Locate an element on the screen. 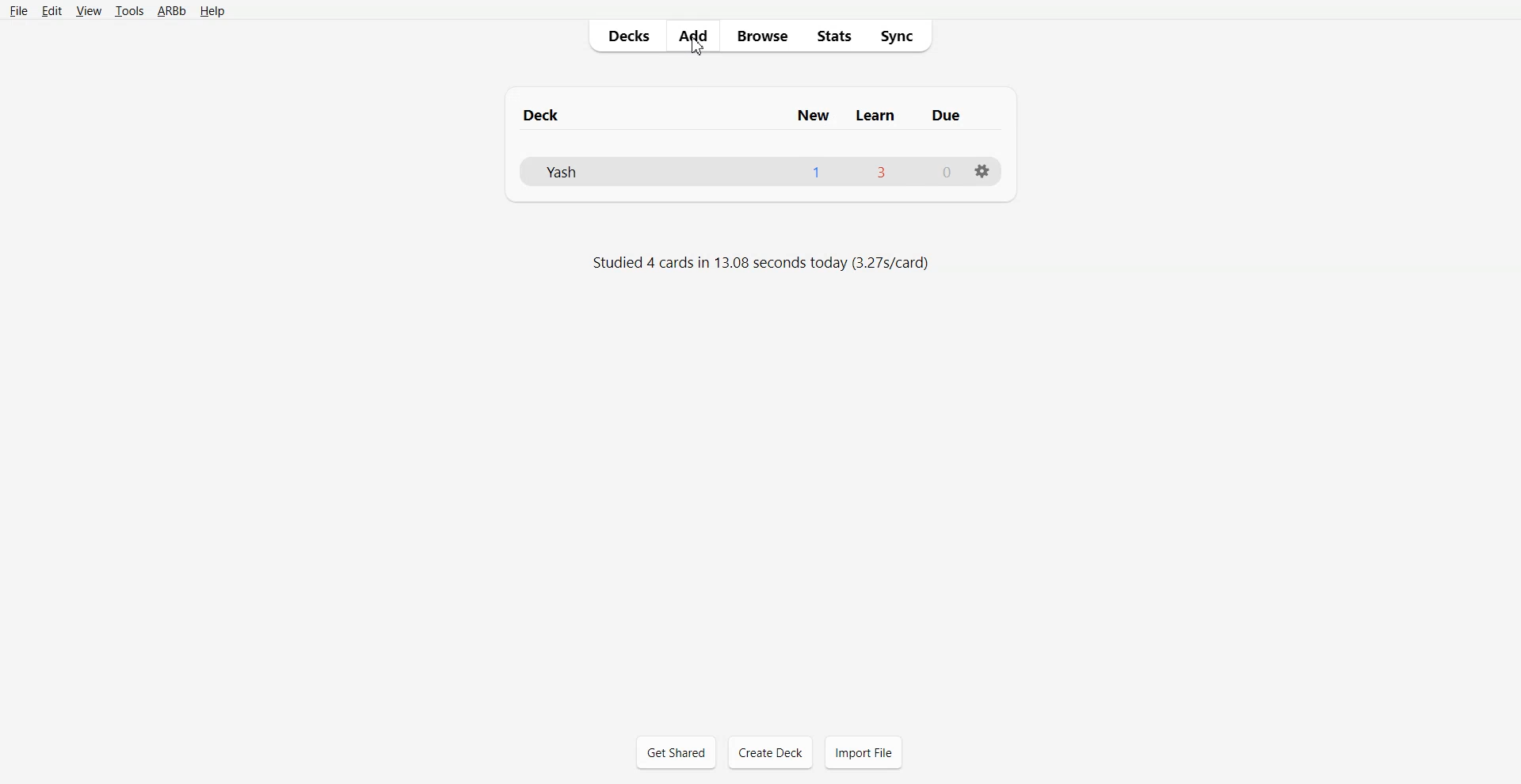  Import File is located at coordinates (863, 752).